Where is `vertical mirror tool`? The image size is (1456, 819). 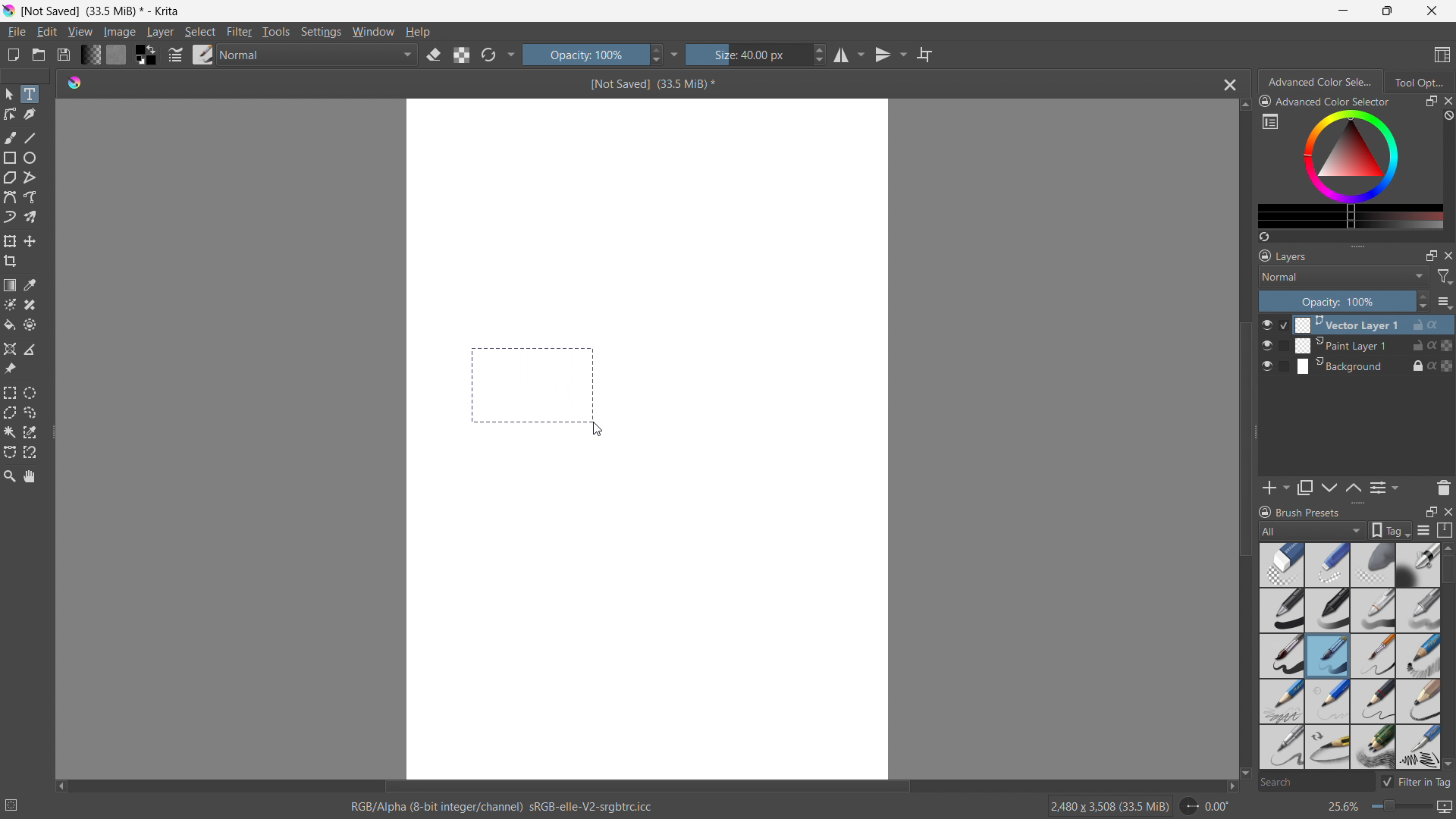 vertical mirror tool is located at coordinates (888, 55).